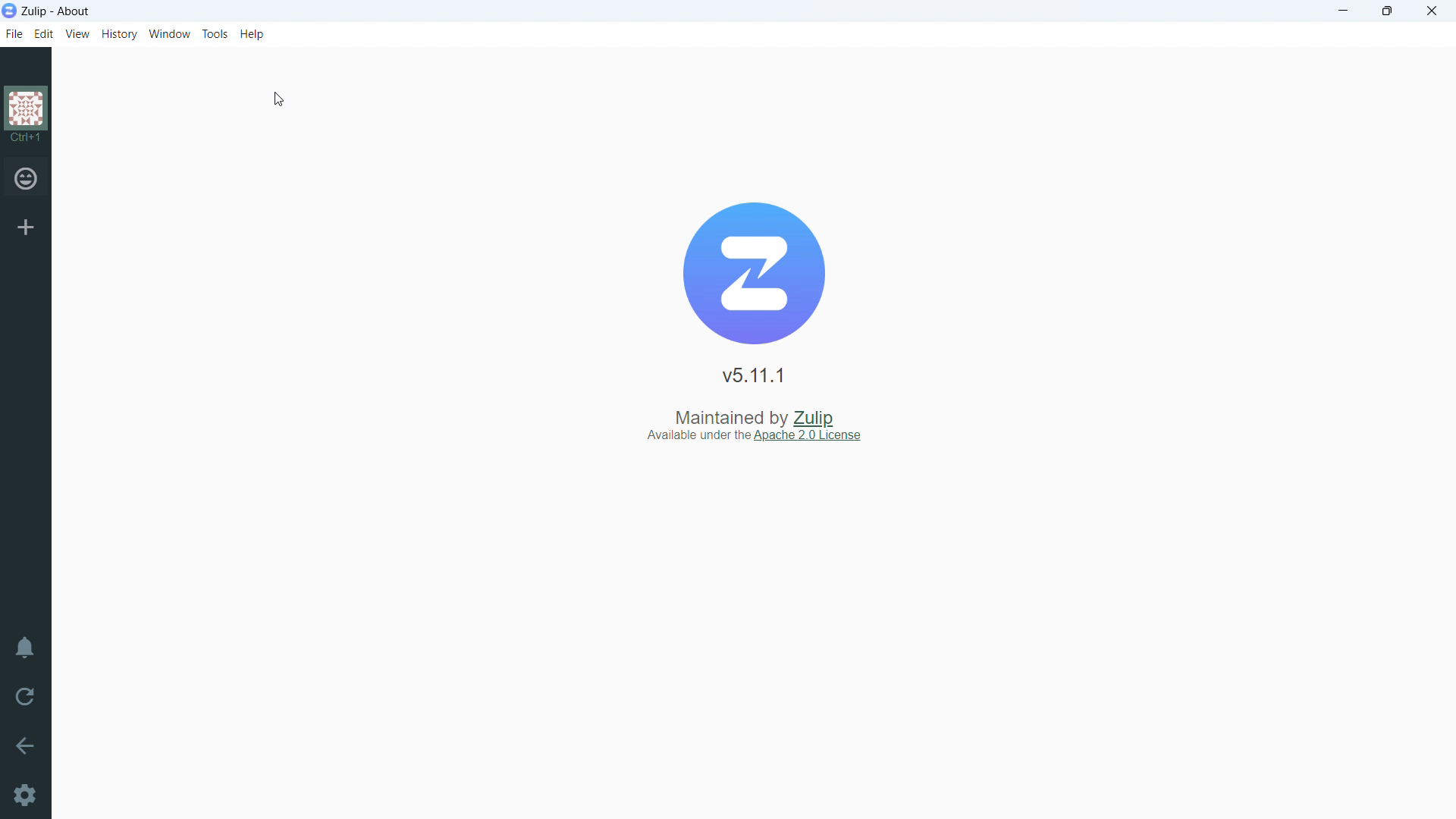 The height and width of the screenshot is (819, 1456). Describe the element at coordinates (215, 33) in the screenshot. I see `tools` at that location.